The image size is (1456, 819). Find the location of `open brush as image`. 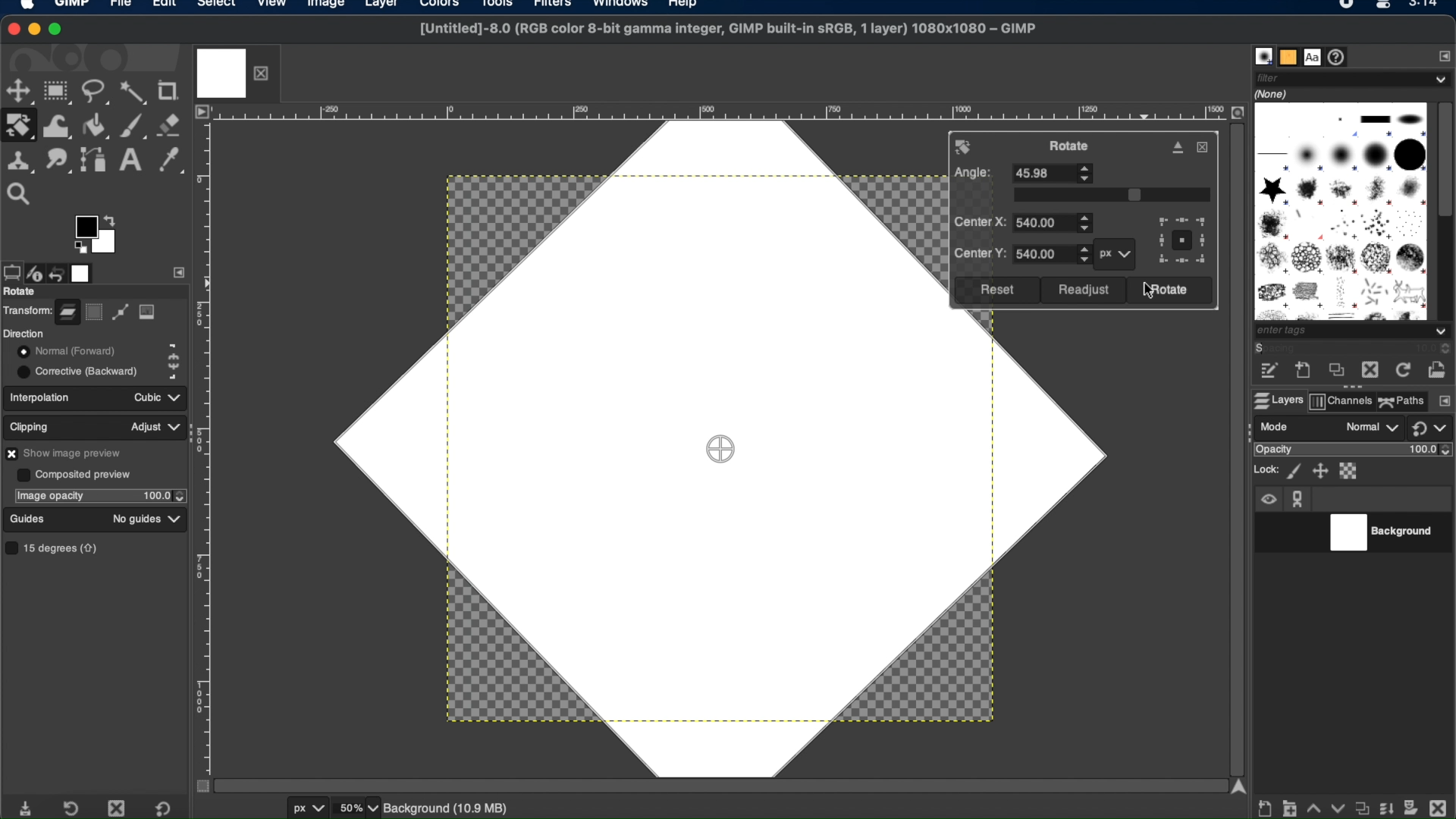

open brush as image is located at coordinates (1438, 366).